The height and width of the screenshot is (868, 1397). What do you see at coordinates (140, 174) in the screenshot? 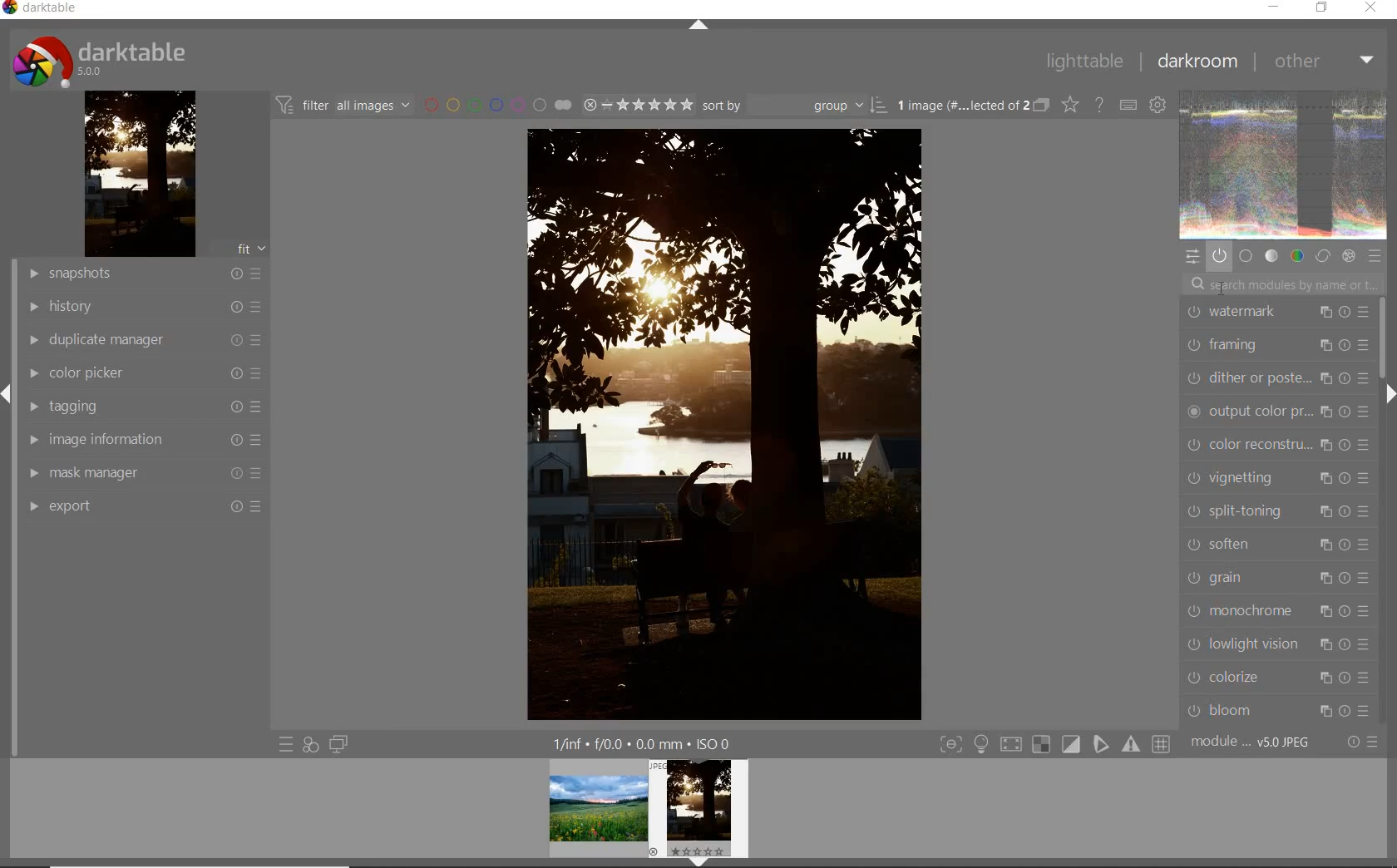
I see `image` at bounding box center [140, 174].